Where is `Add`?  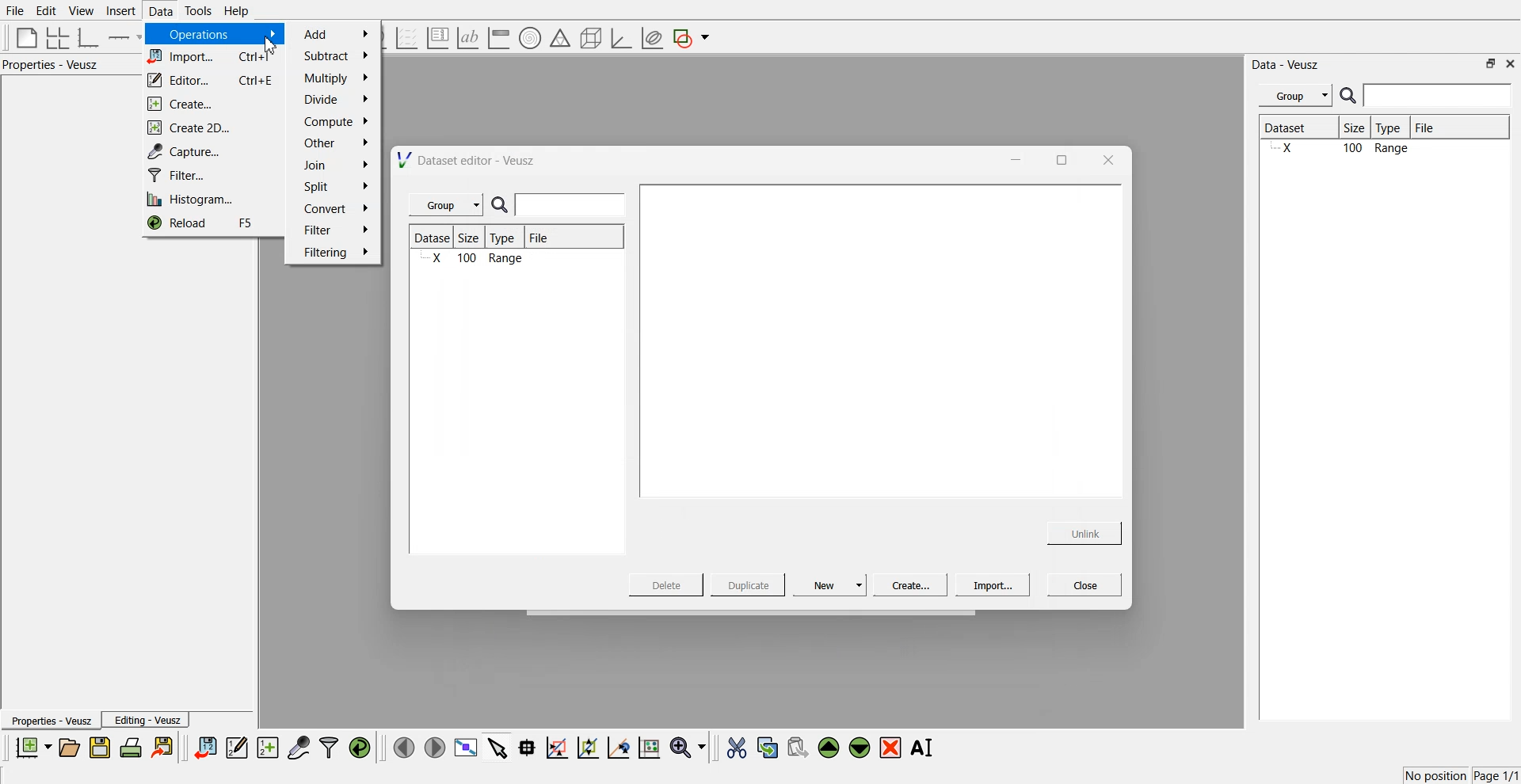
Add is located at coordinates (337, 34).